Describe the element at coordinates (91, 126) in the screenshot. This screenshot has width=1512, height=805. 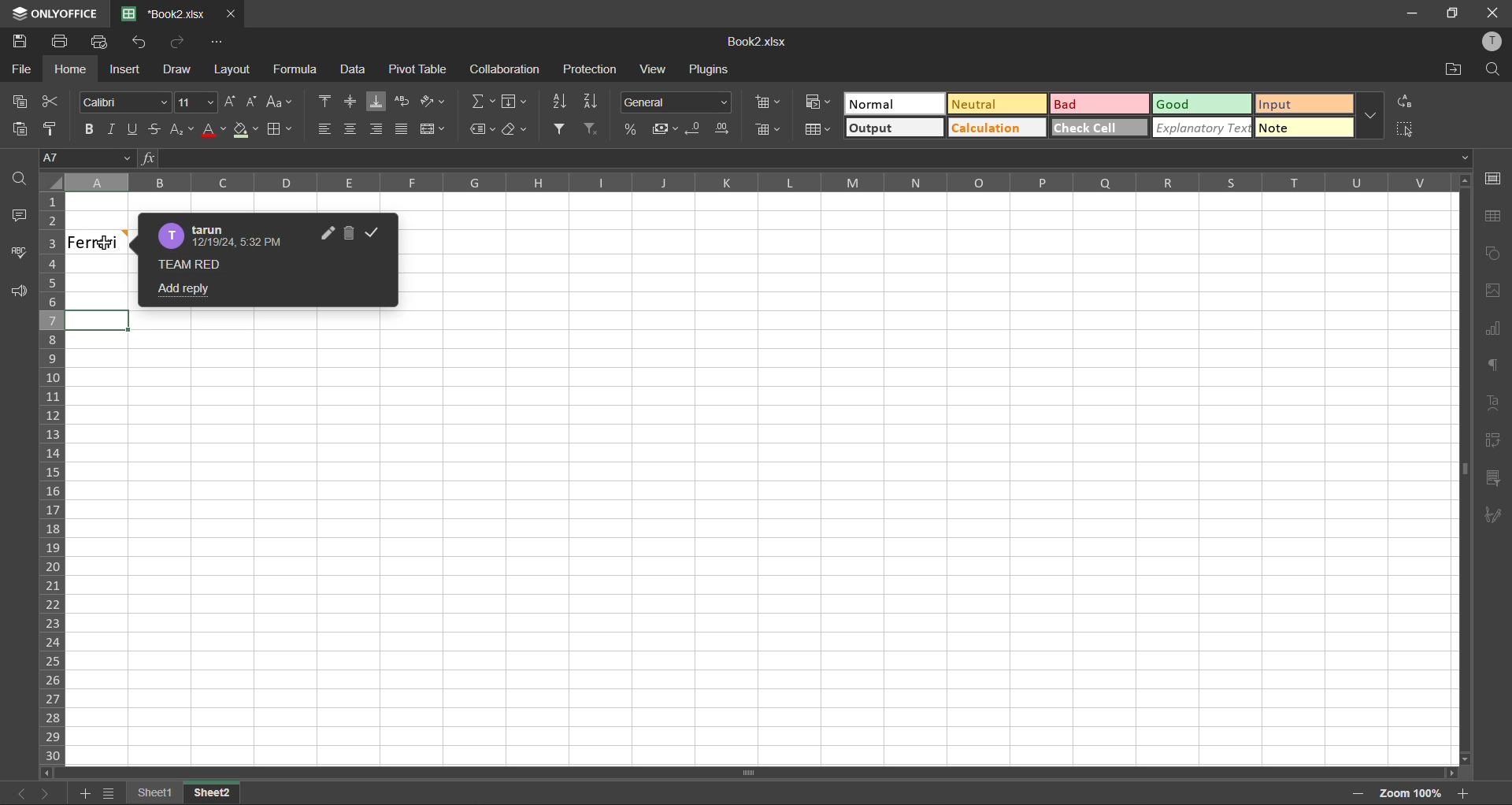
I see `bold` at that location.